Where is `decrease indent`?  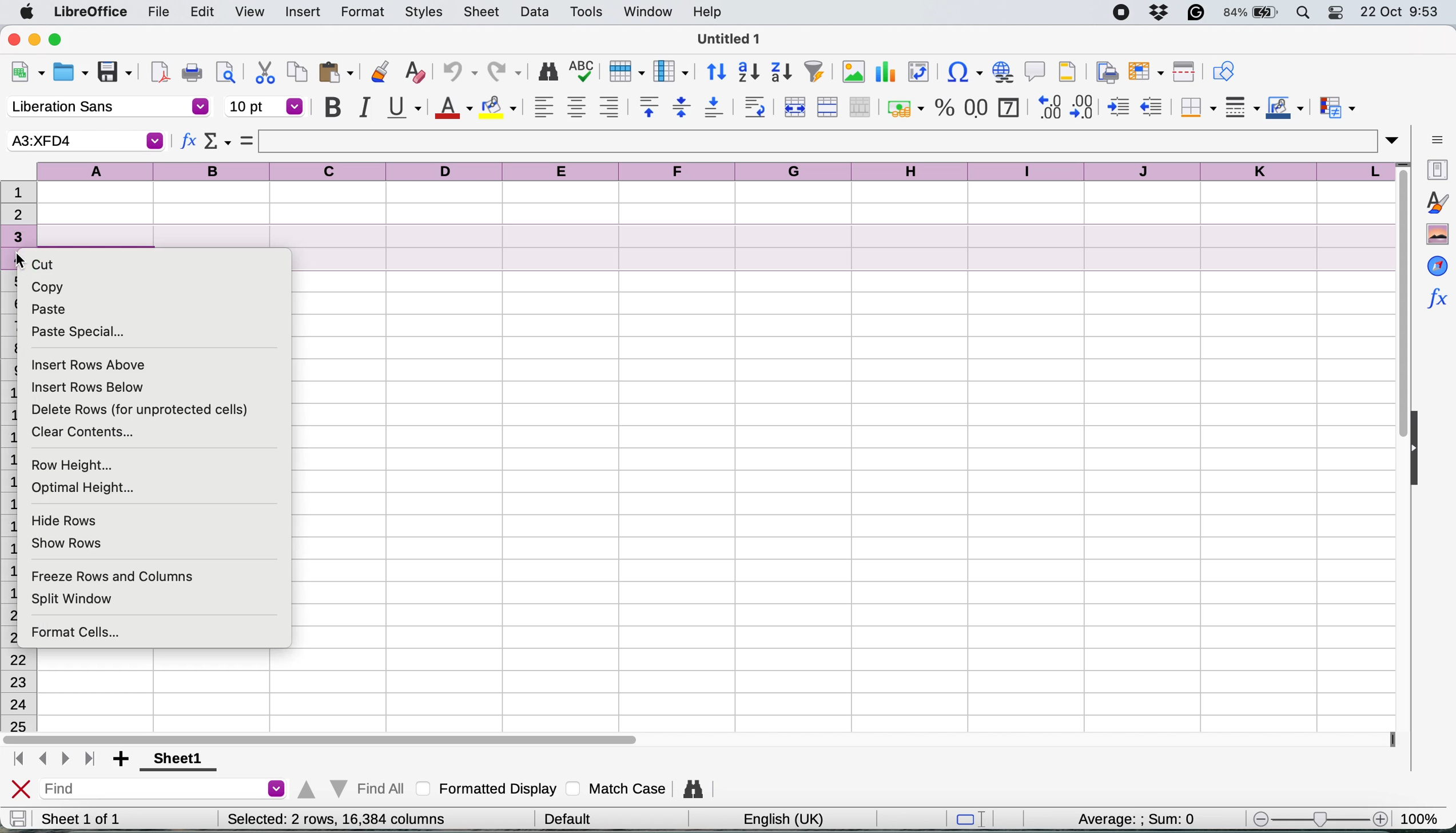 decrease indent is located at coordinates (1153, 106).